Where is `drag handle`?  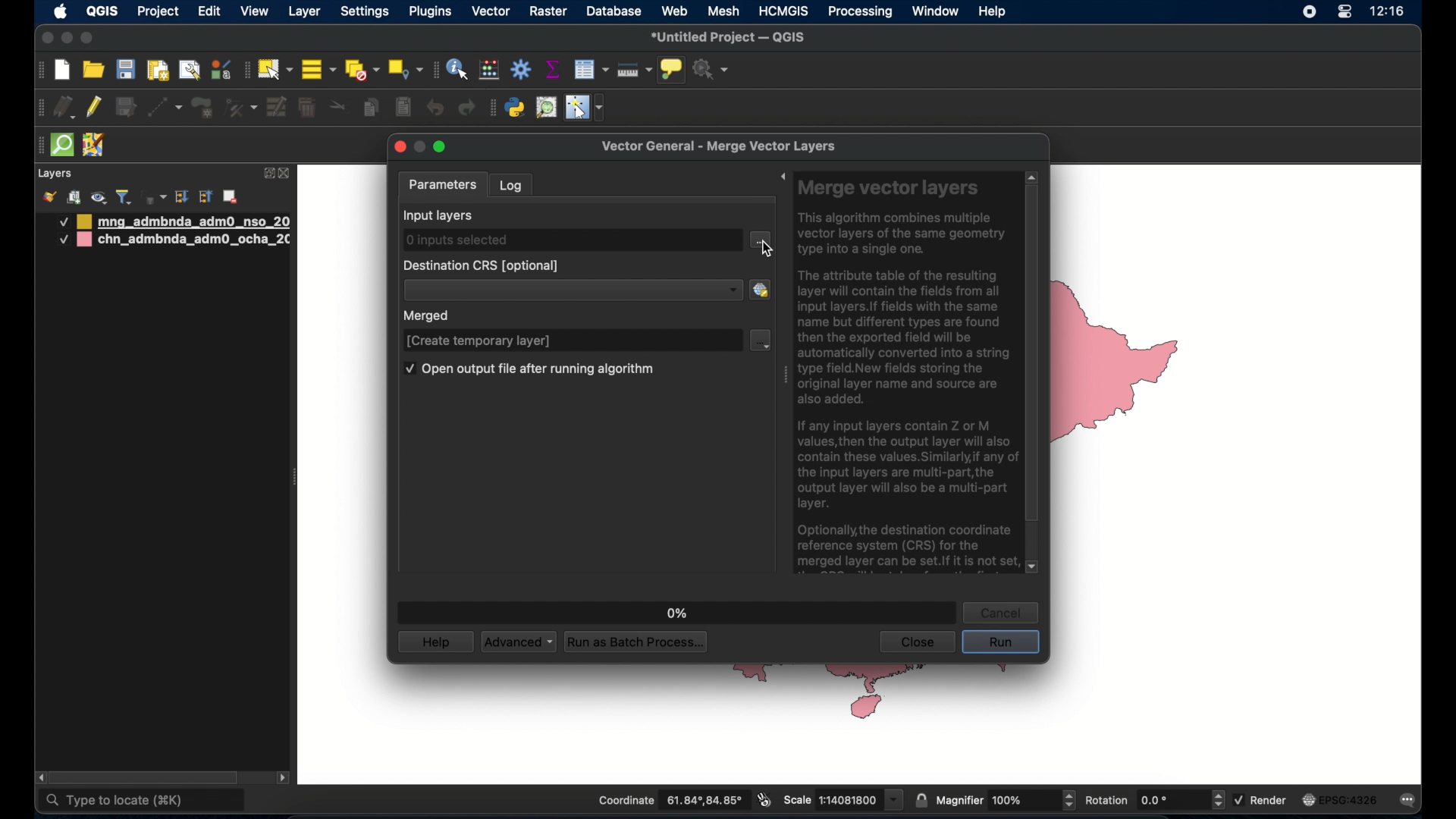
drag handle is located at coordinates (783, 378).